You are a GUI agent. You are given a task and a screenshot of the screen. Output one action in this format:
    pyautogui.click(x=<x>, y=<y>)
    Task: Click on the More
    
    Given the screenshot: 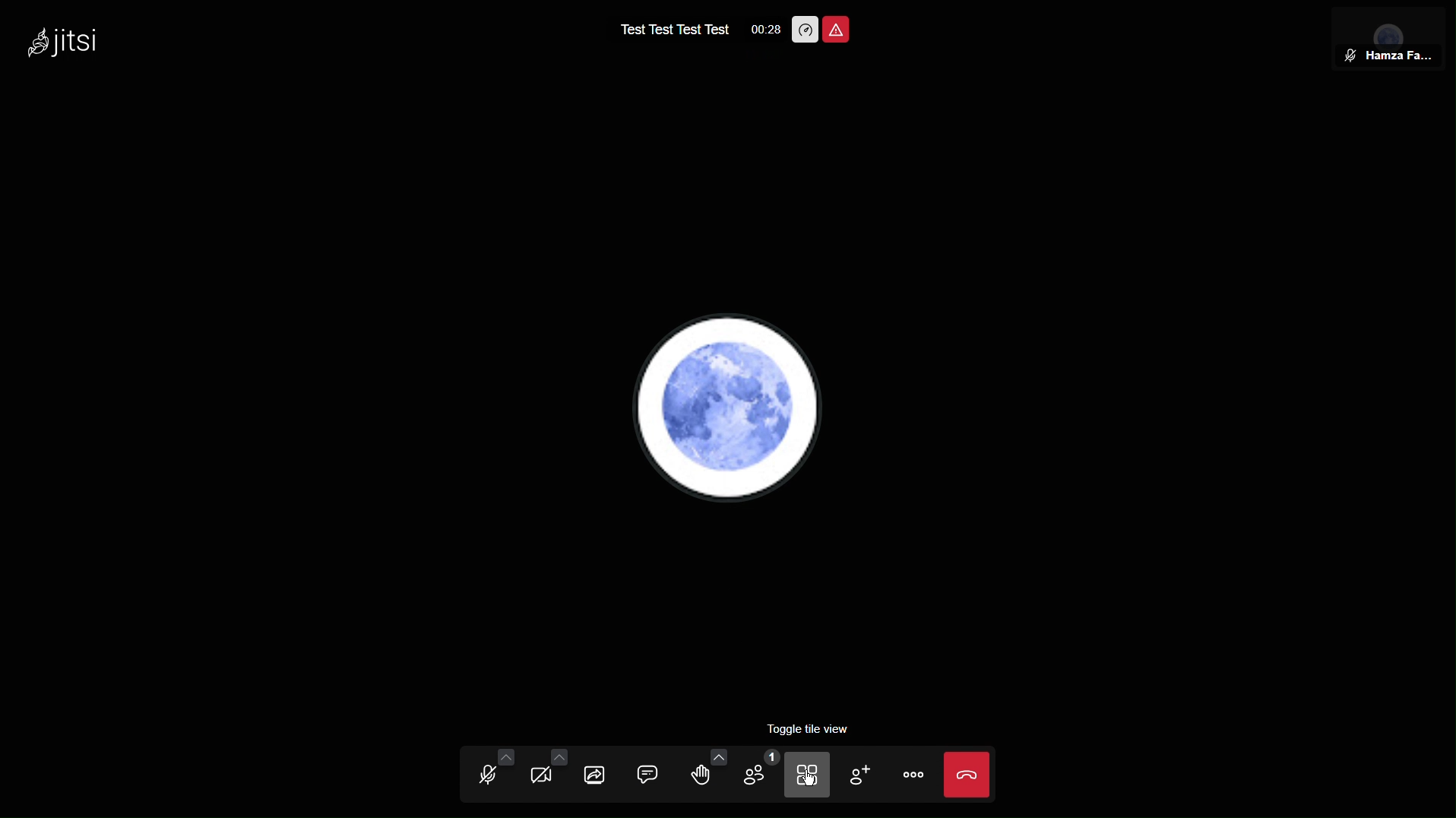 What is the action you would take?
    pyautogui.click(x=918, y=778)
    